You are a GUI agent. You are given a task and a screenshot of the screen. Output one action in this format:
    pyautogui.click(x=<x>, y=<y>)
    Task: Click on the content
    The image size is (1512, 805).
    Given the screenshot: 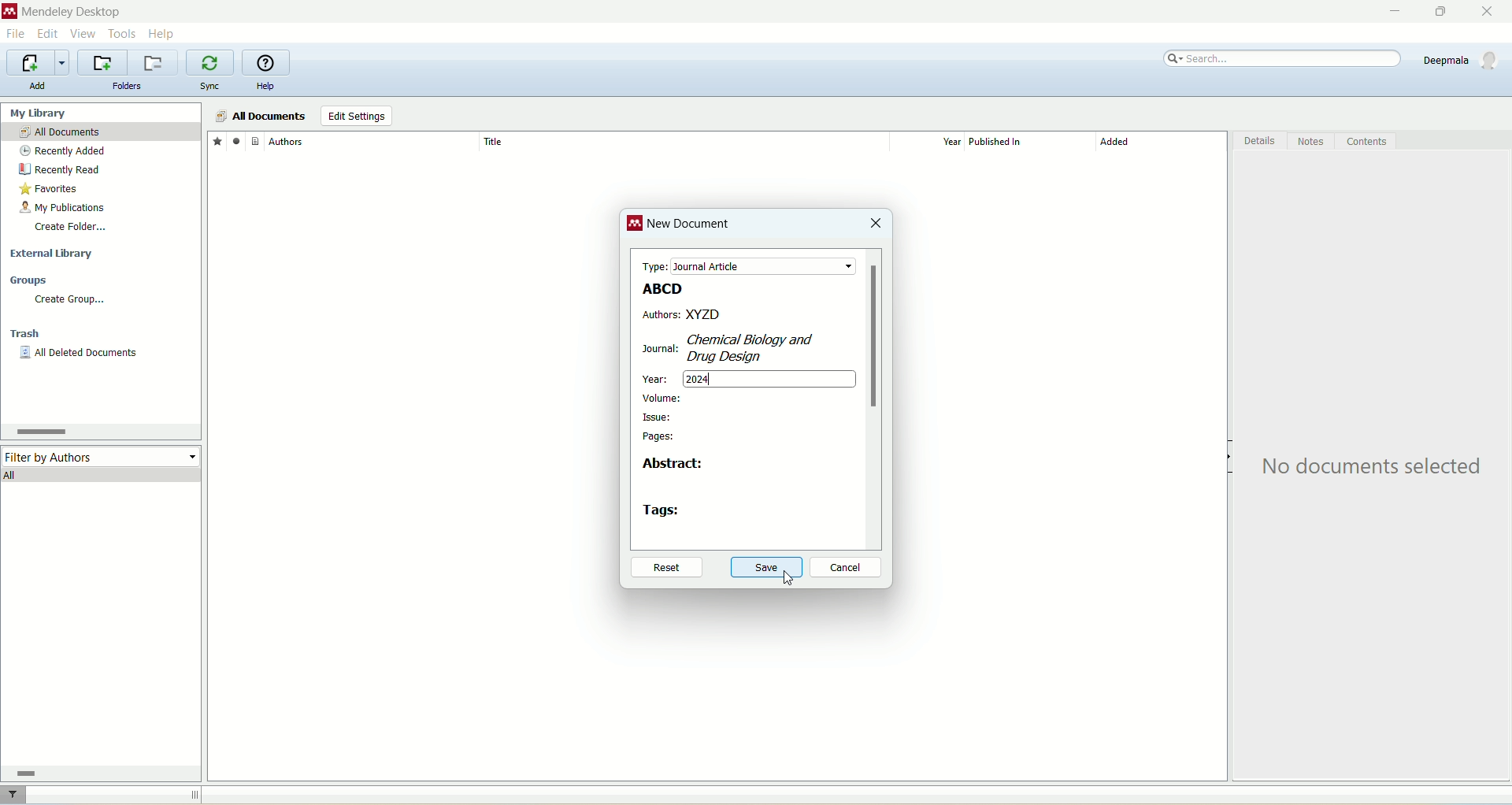 What is the action you would take?
    pyautogui.click(x=1366, y=142)
    